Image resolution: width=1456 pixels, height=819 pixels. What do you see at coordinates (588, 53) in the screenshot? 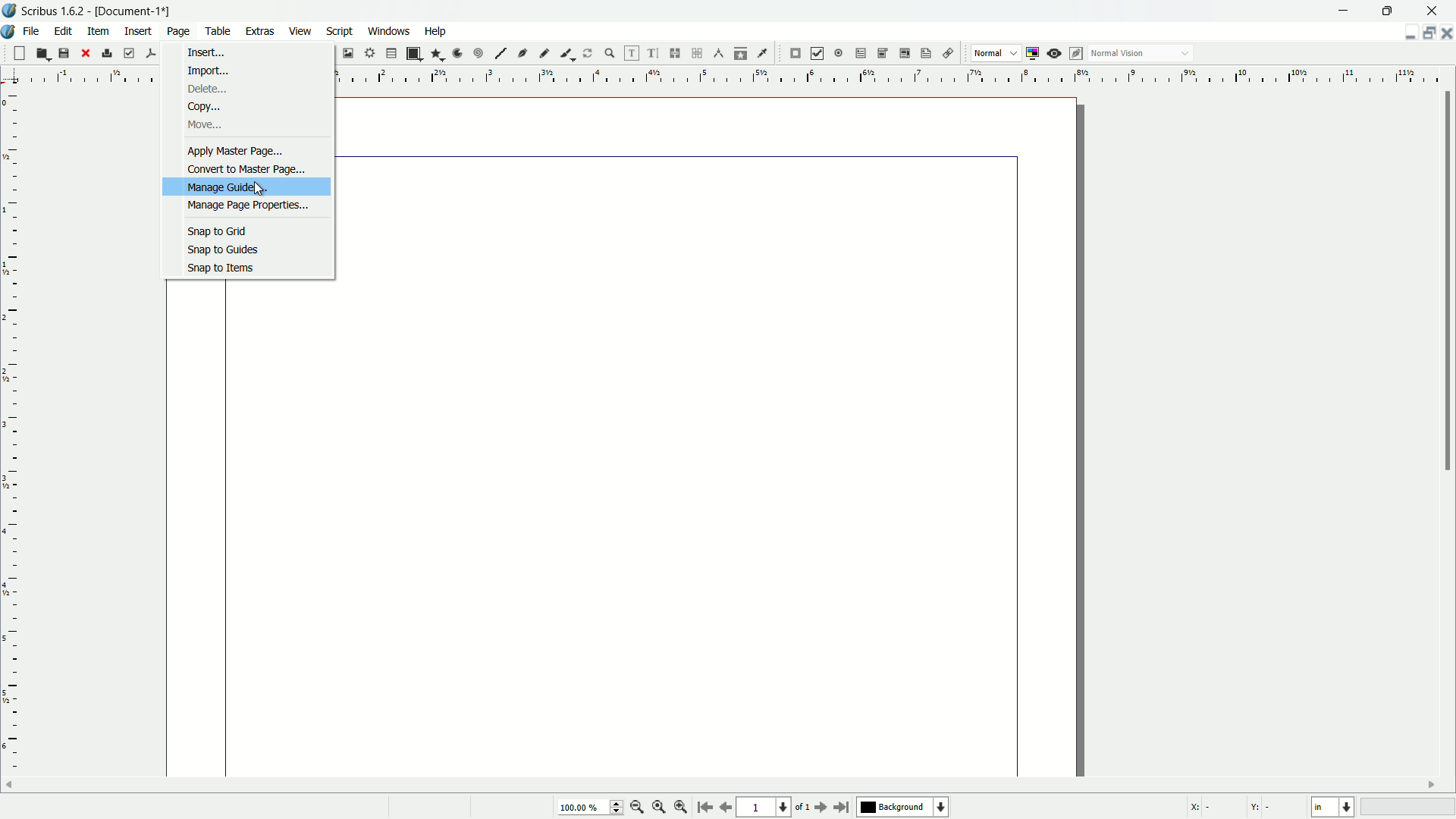
I see `rotate item` at bounding box center [588, 53].